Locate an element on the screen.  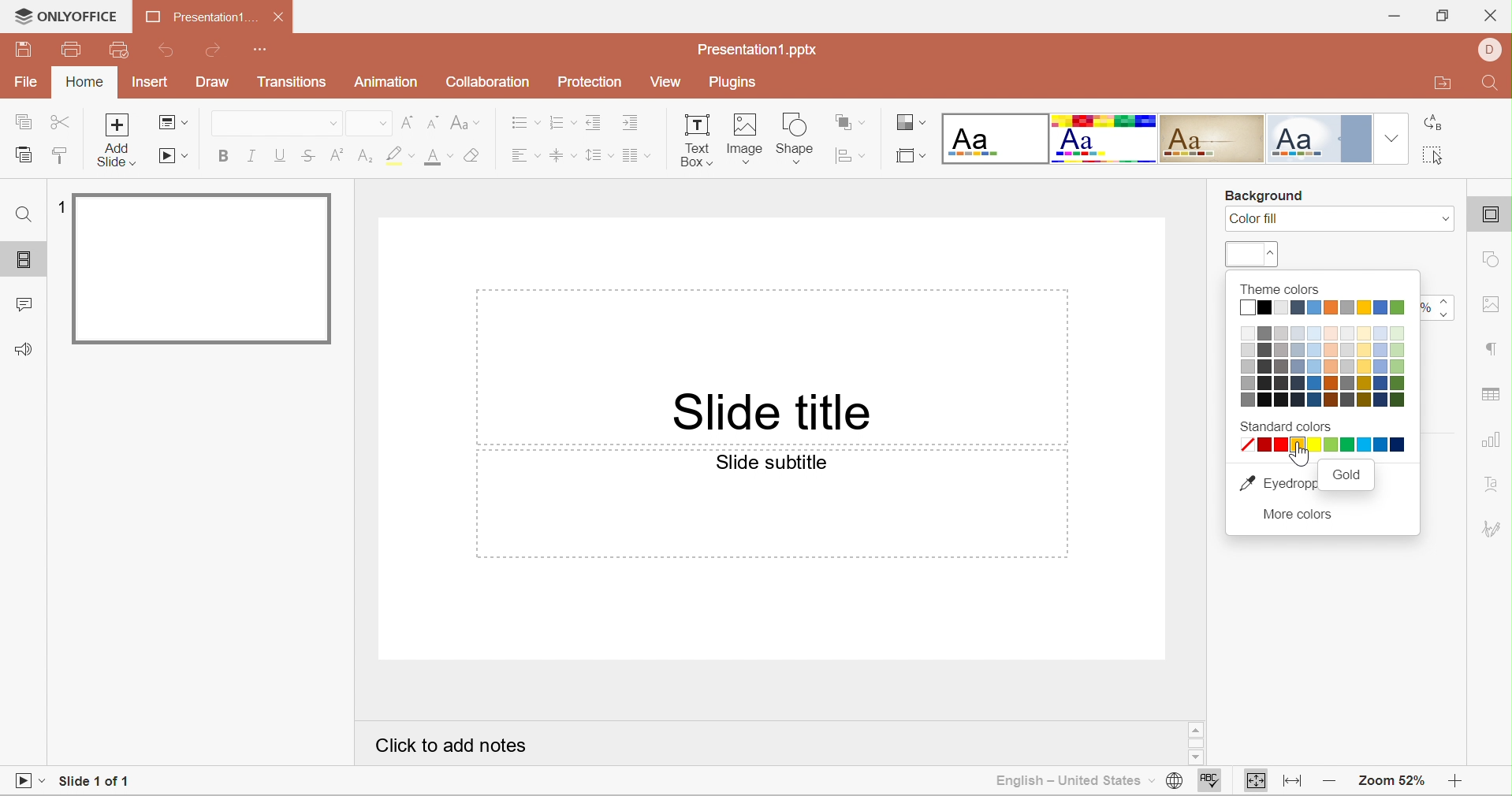
Spell checking is located at coordinates (1210, 782).